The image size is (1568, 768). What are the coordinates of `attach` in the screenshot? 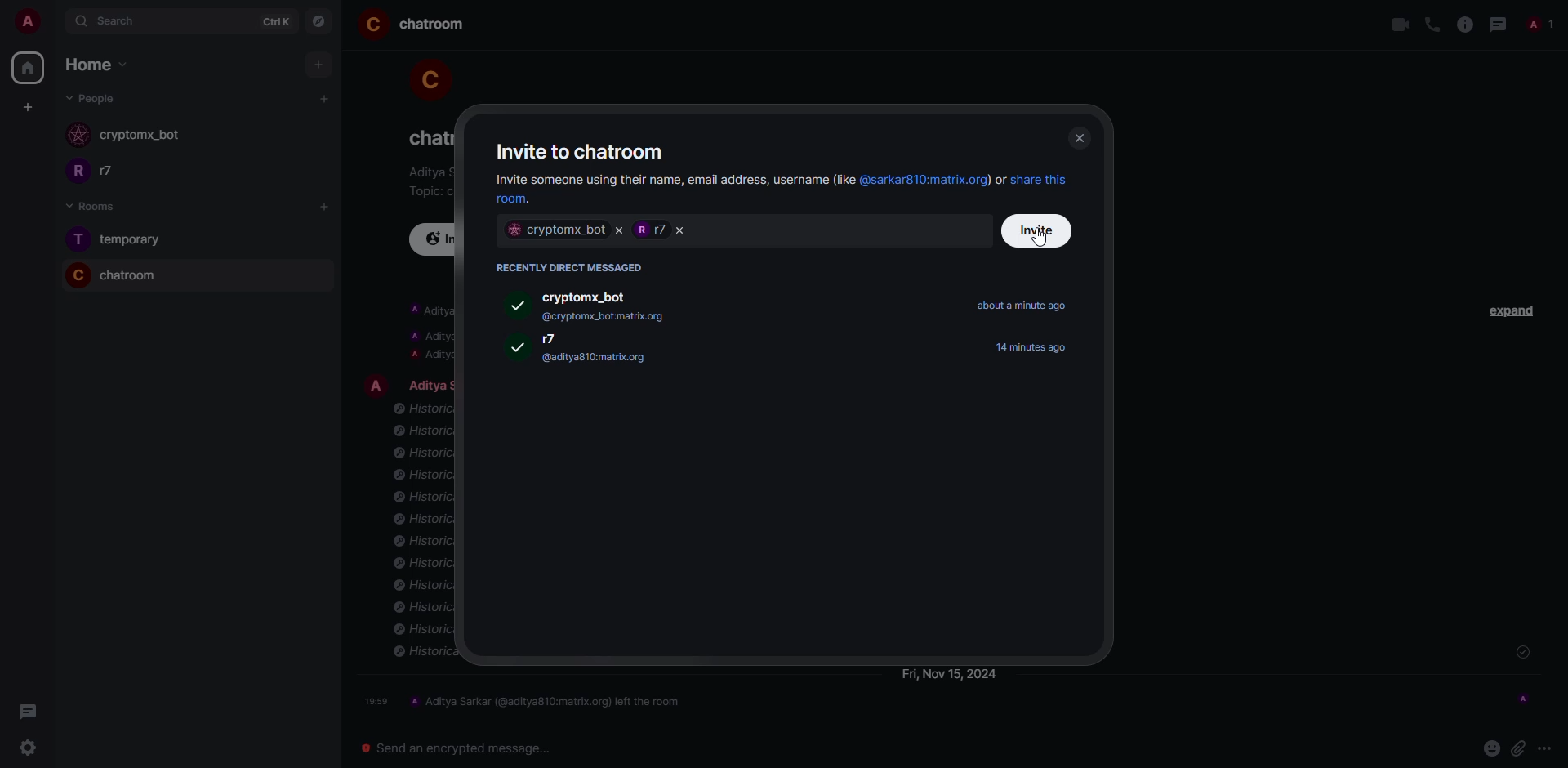 It's located at (1518, 747).